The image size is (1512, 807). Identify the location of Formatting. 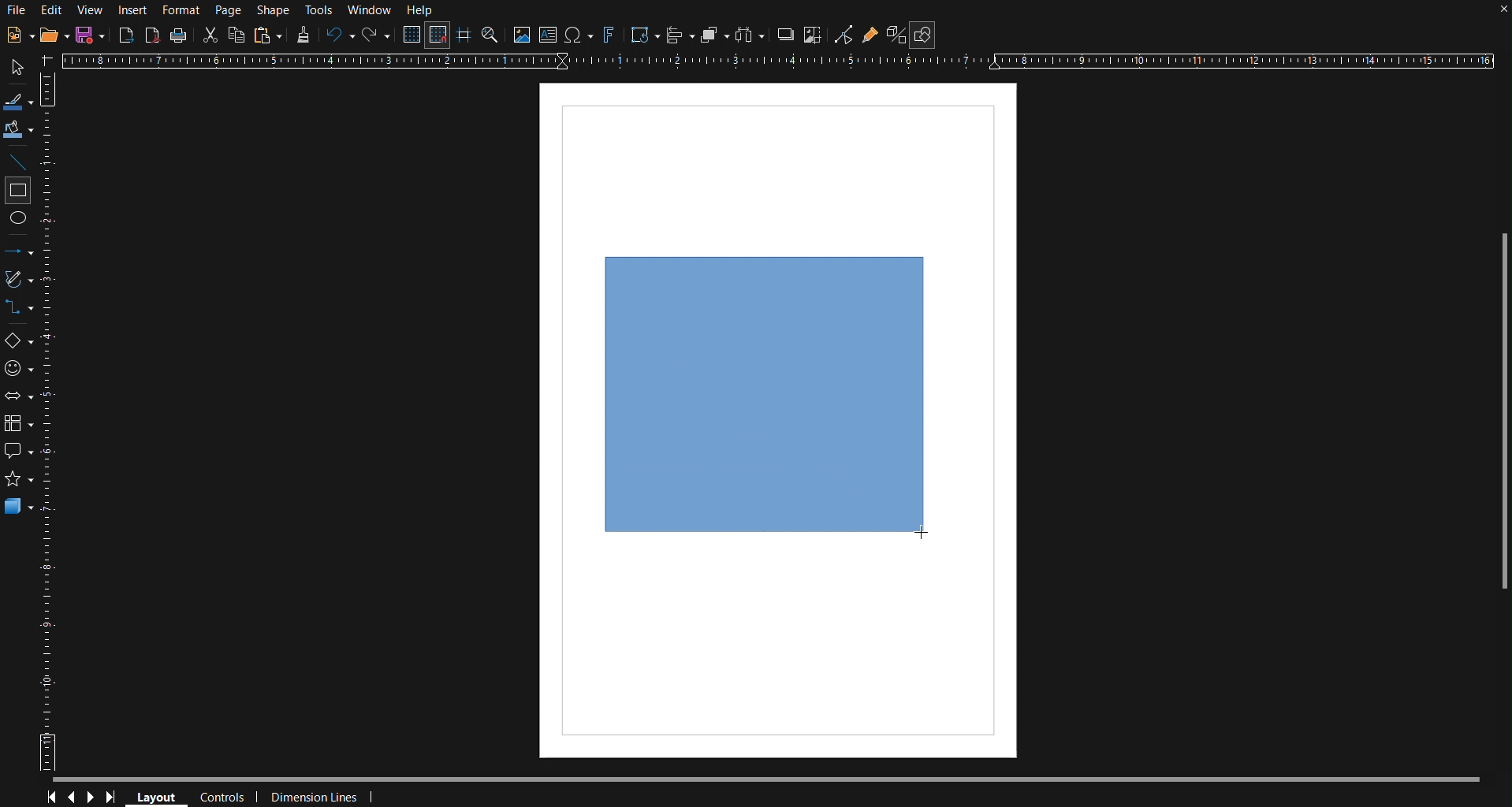
(302, 35).